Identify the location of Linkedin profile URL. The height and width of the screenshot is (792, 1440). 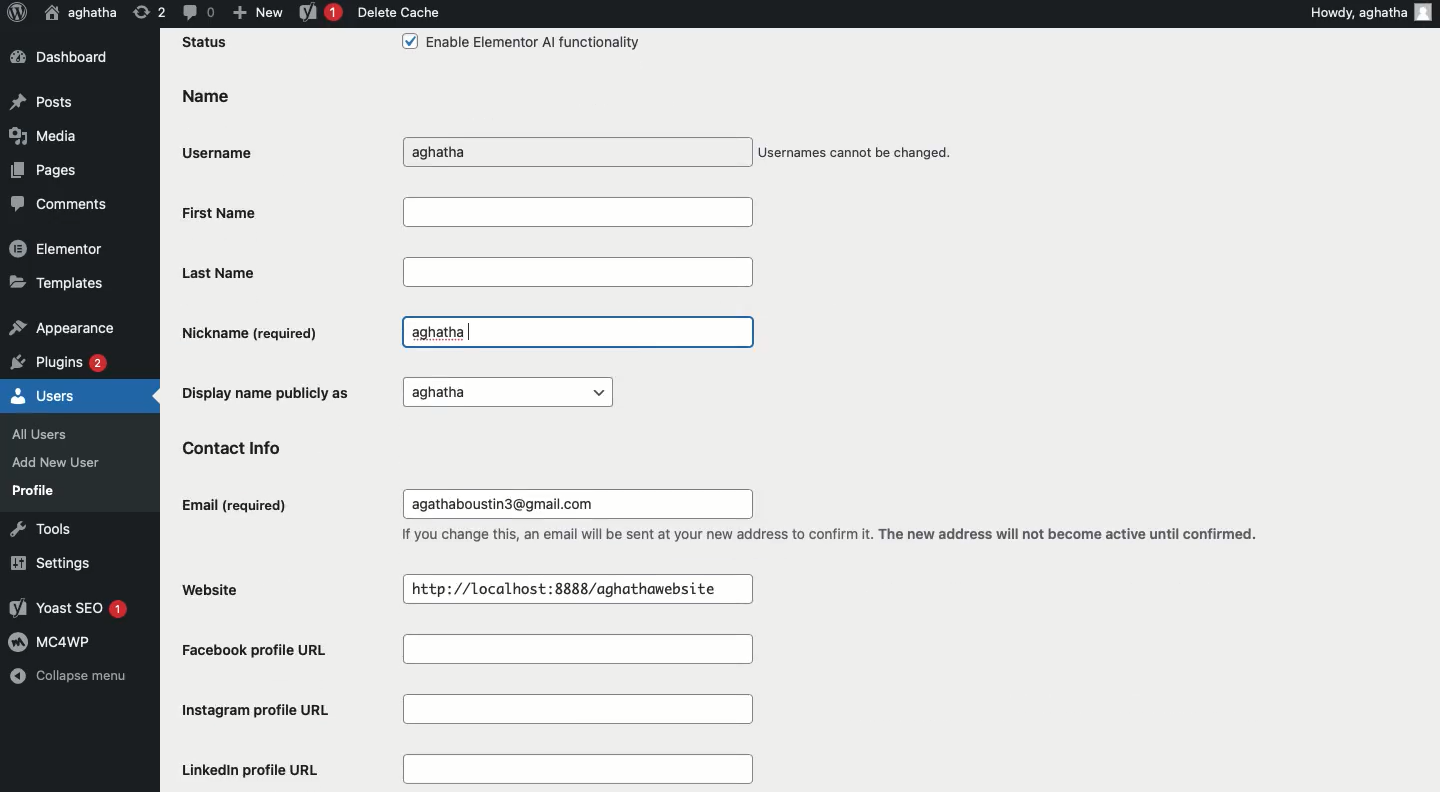
(463, 770).